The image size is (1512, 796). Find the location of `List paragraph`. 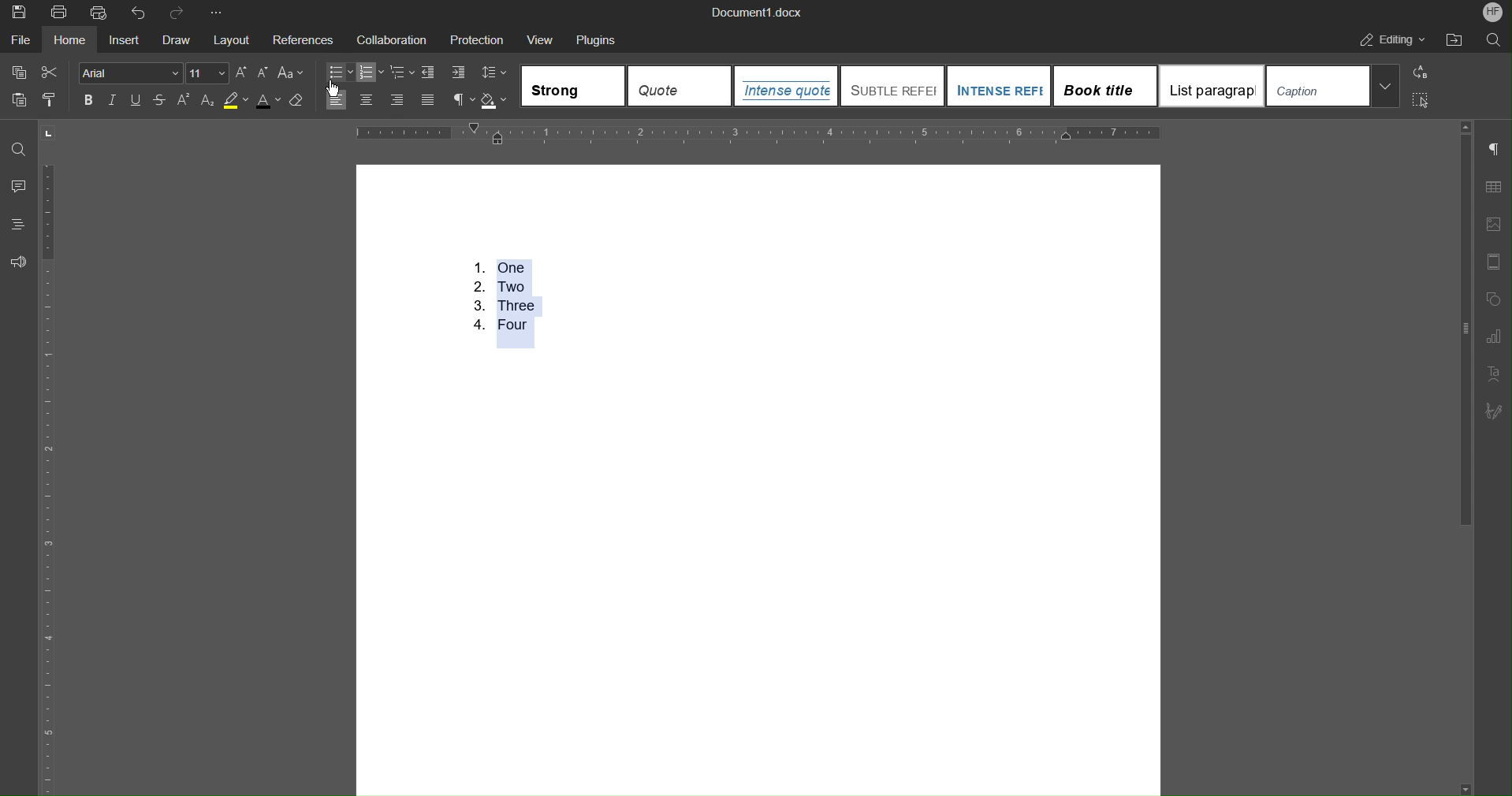

List paragraph is located at coordinates (1211, 85).